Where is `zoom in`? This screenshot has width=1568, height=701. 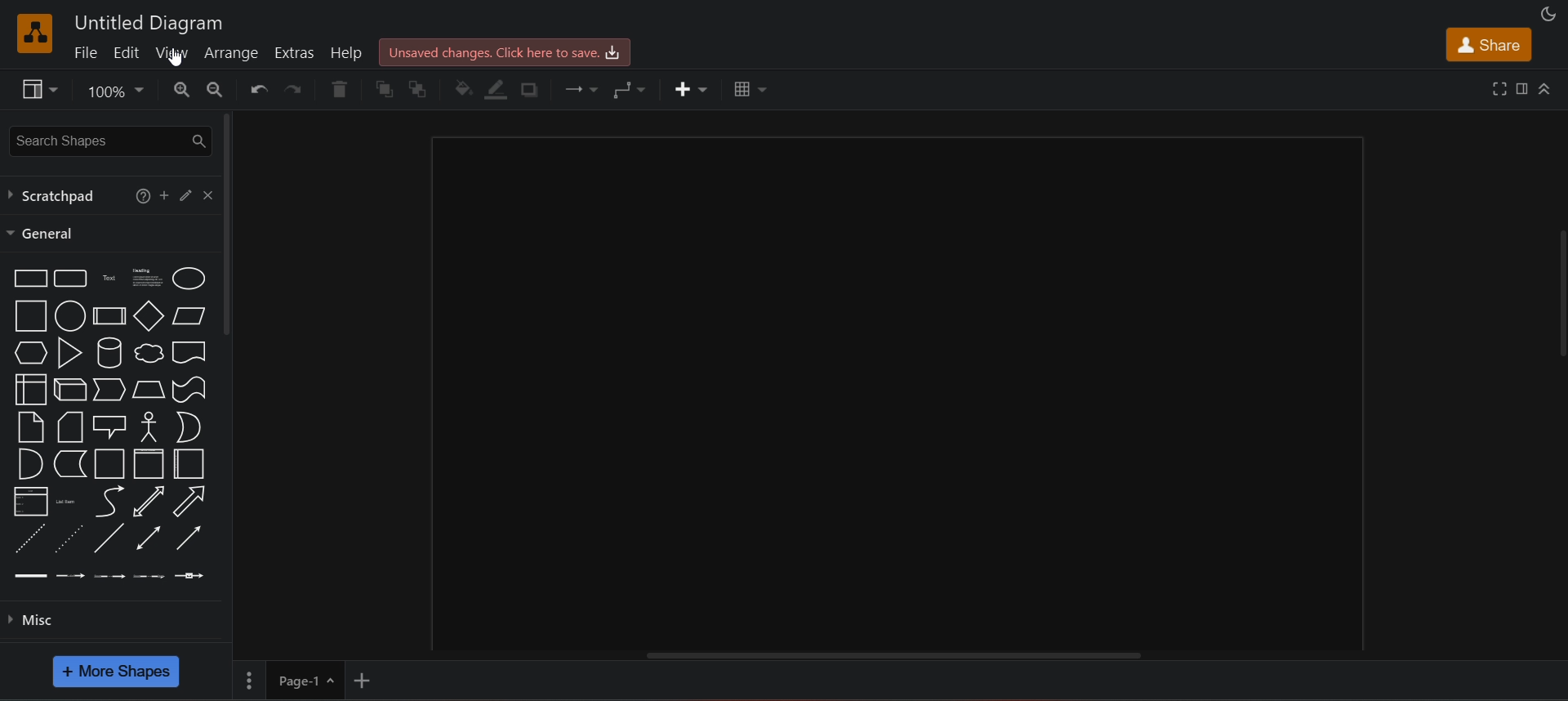
zoom in is located at coordinates (180, 90).